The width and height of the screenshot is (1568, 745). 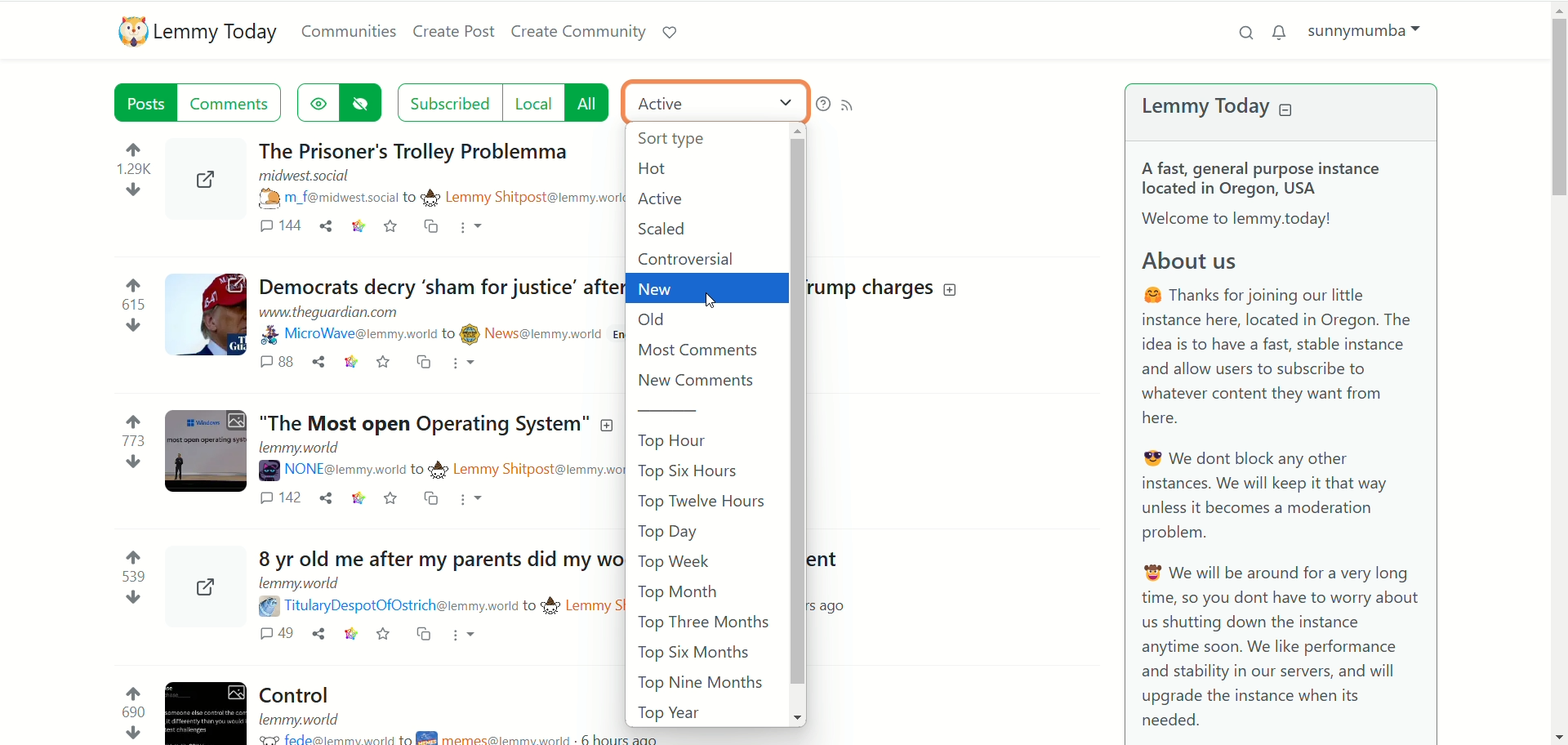 I want to click on new, so click(x=703, y=290).